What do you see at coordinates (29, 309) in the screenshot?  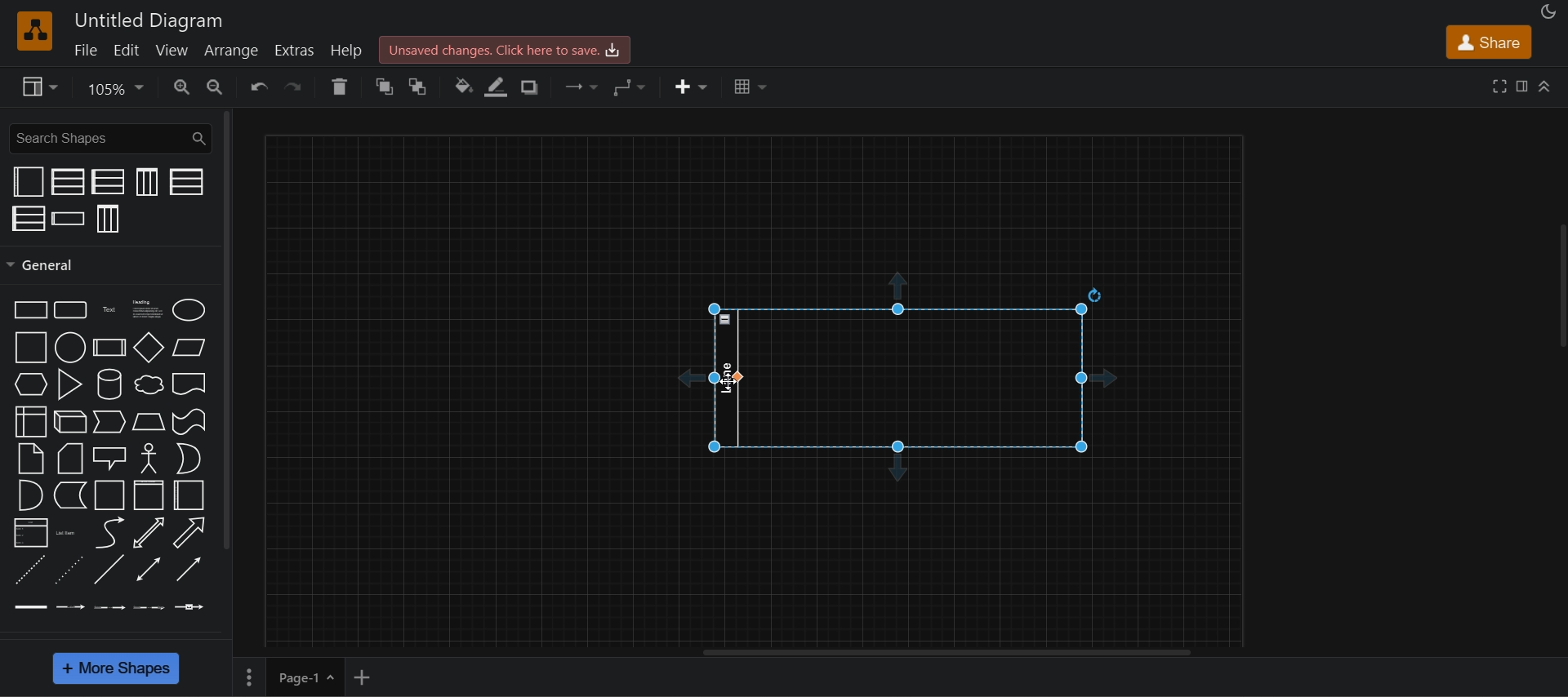 I see `rectangle` at bounding box center [29, 309].